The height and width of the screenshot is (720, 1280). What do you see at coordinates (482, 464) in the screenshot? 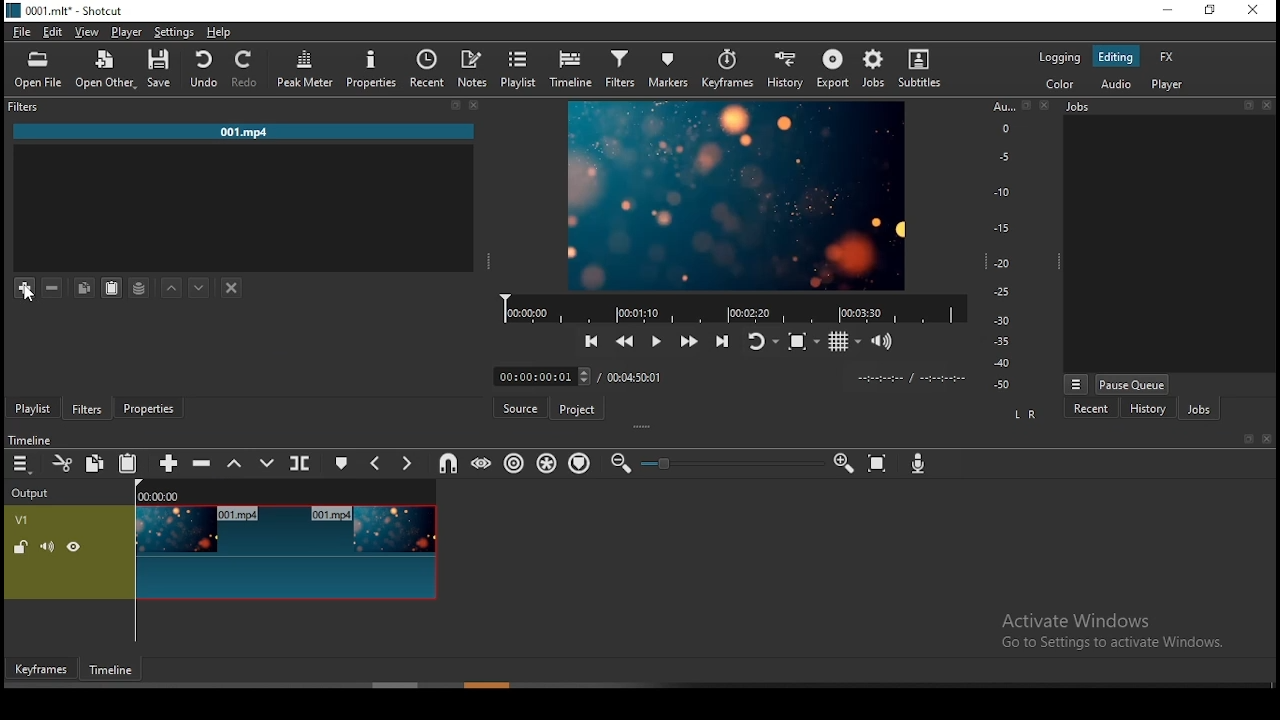
I see `scrub while dragging` at bounding box center [482, 464].